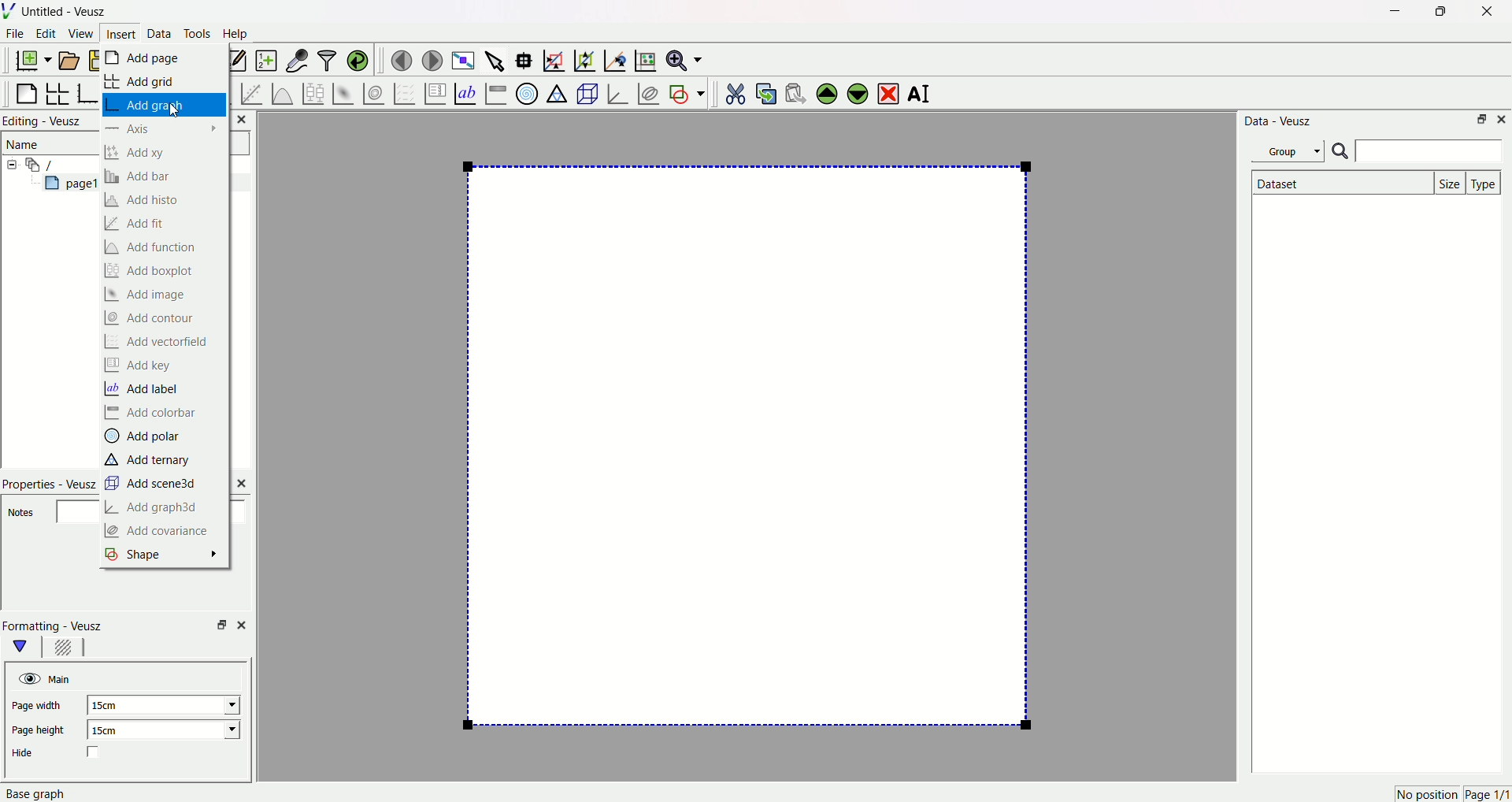 The width and height of the screenshot is (1512, 802). I want to click on Size, so click(1451, 182).